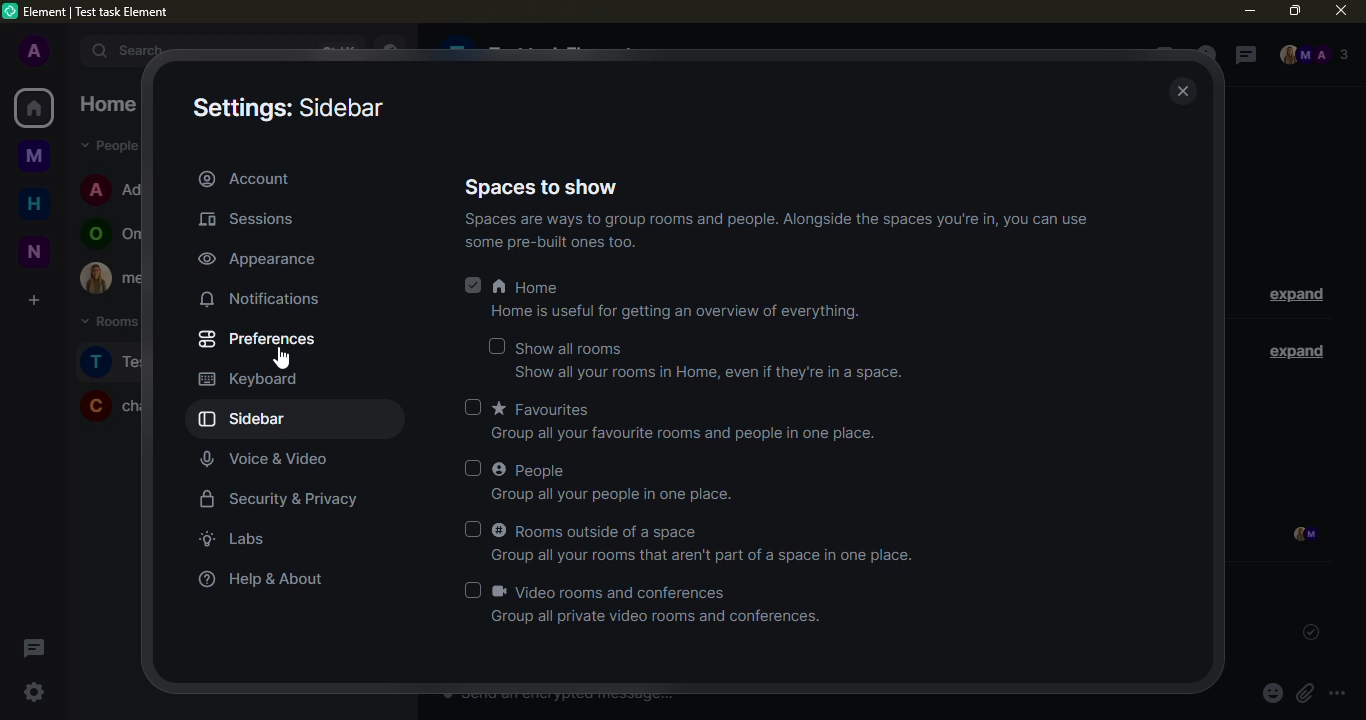 The image size is (1366, 720). What do you see at coordinates (32, 299) in the screenshot?
I see `create a space` at bounding box center [32, 299].